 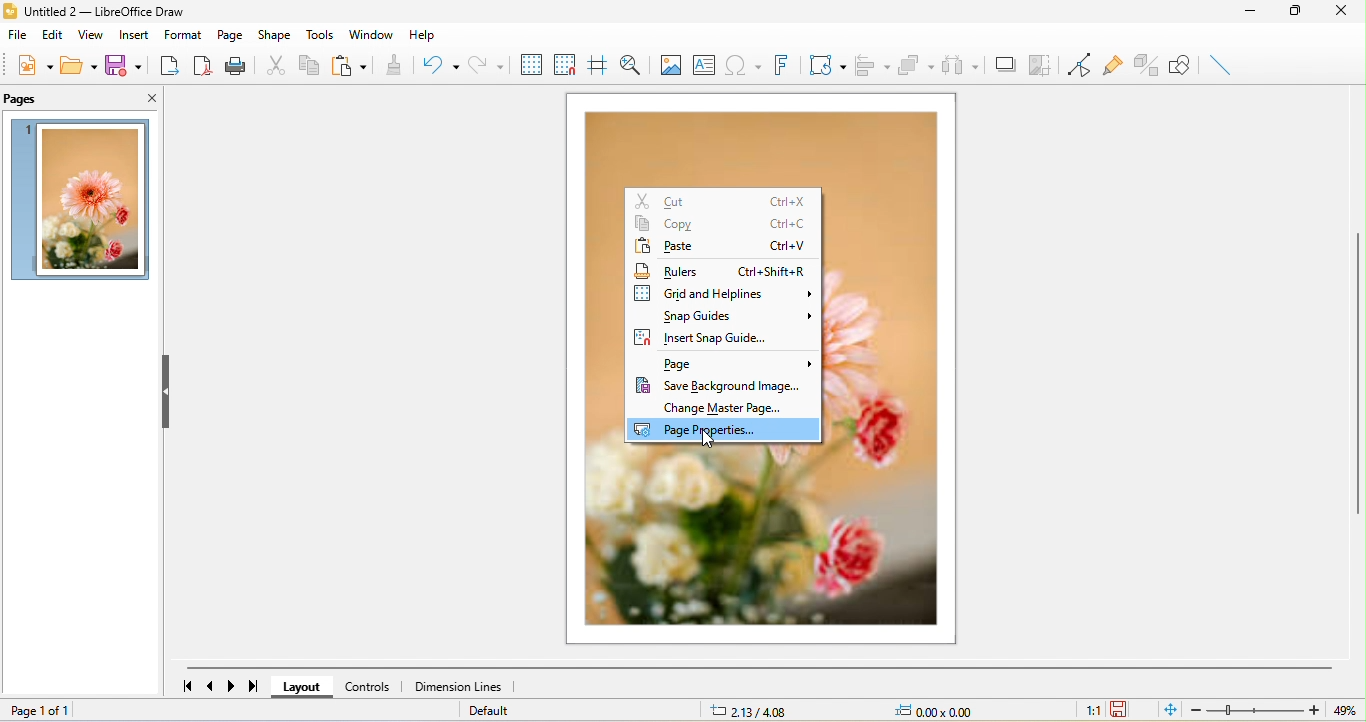 What do you see at coordinates (374, 34) in the screenshot?
I see `window` at bounding box center [374, 34].